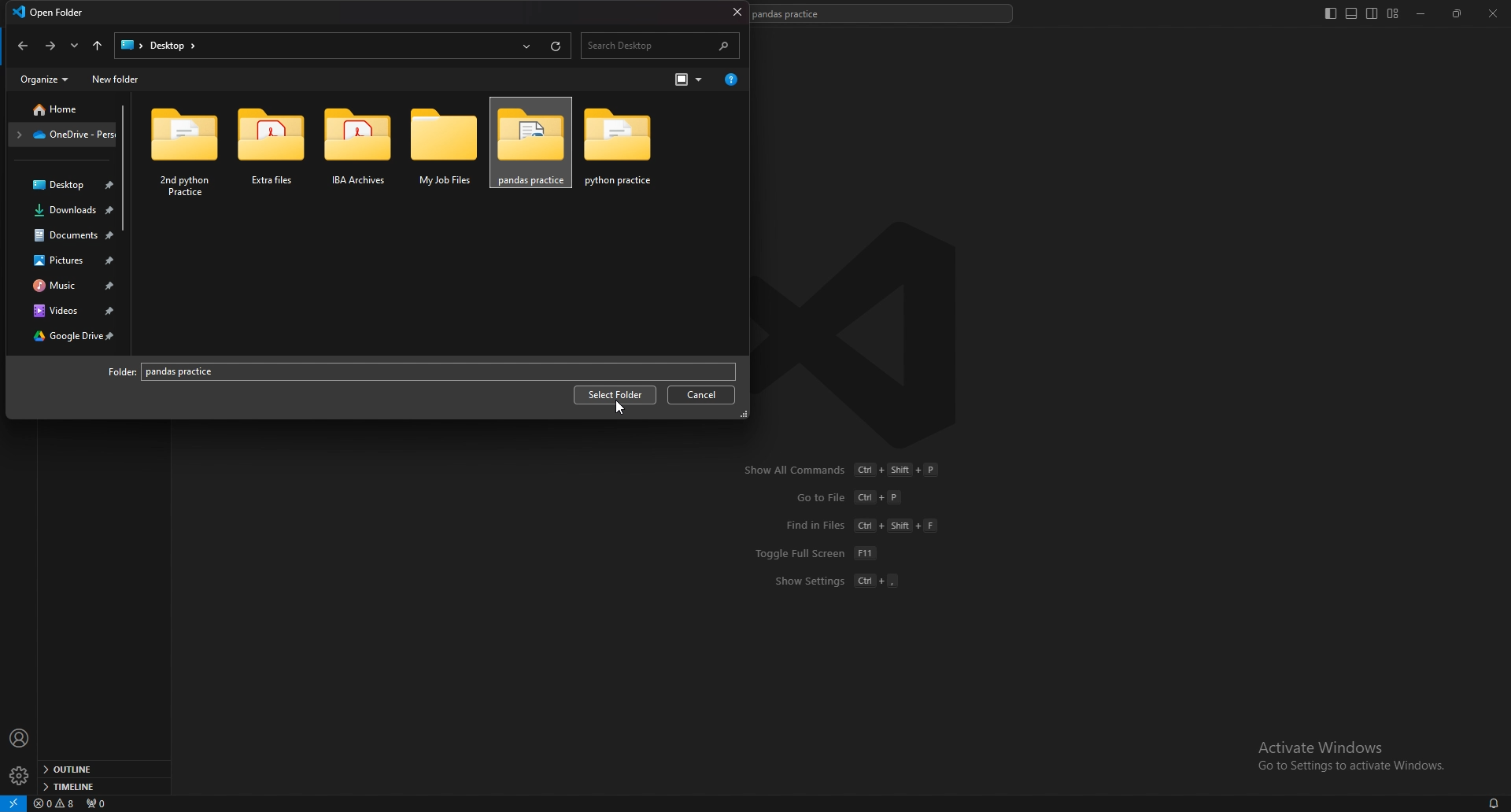  What do you see at coordinates (66, 183) in the screenshot?
I see `desktop folder` at bounding box center [66, 183].